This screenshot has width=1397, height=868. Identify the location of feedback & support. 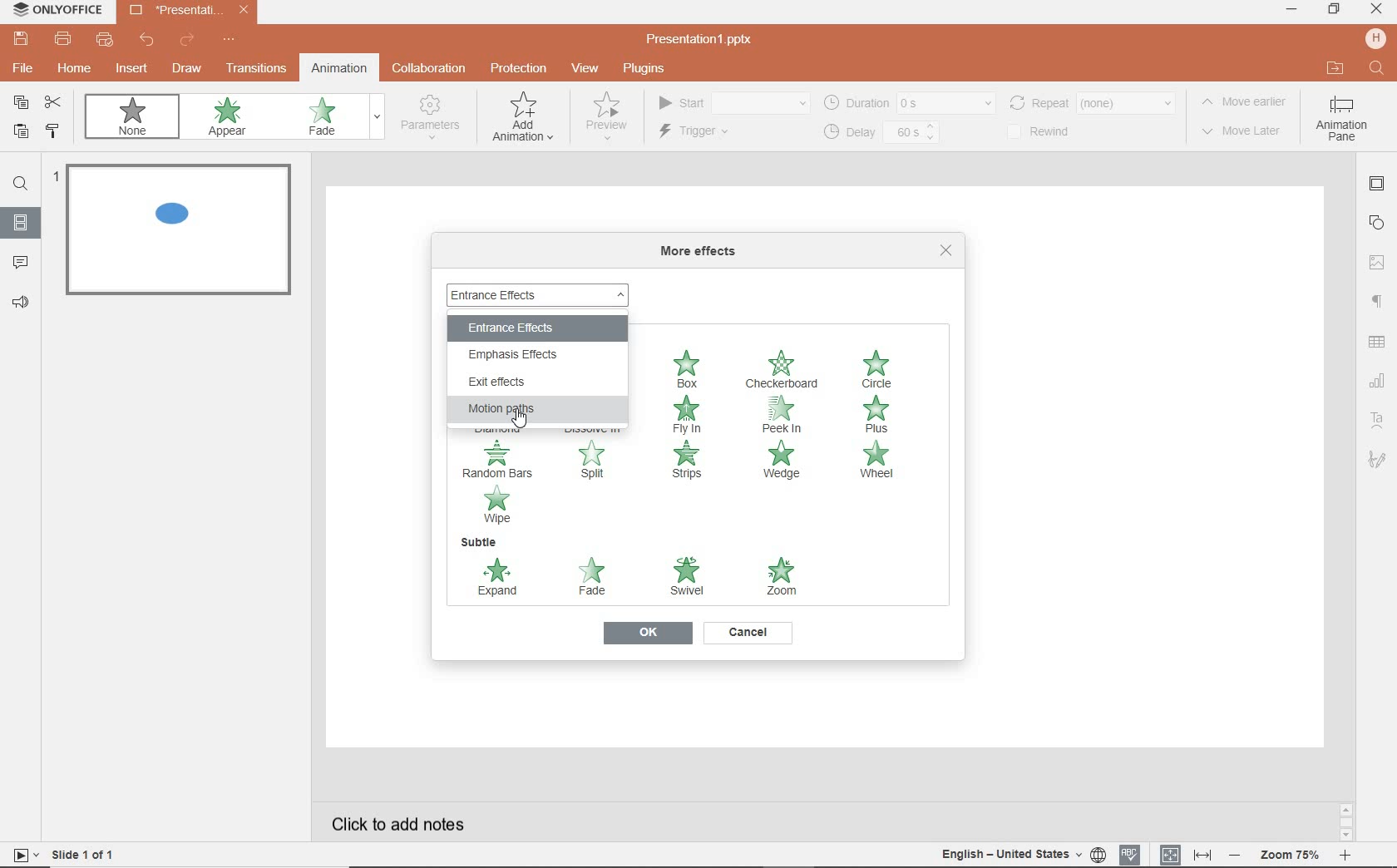
(22, 303).